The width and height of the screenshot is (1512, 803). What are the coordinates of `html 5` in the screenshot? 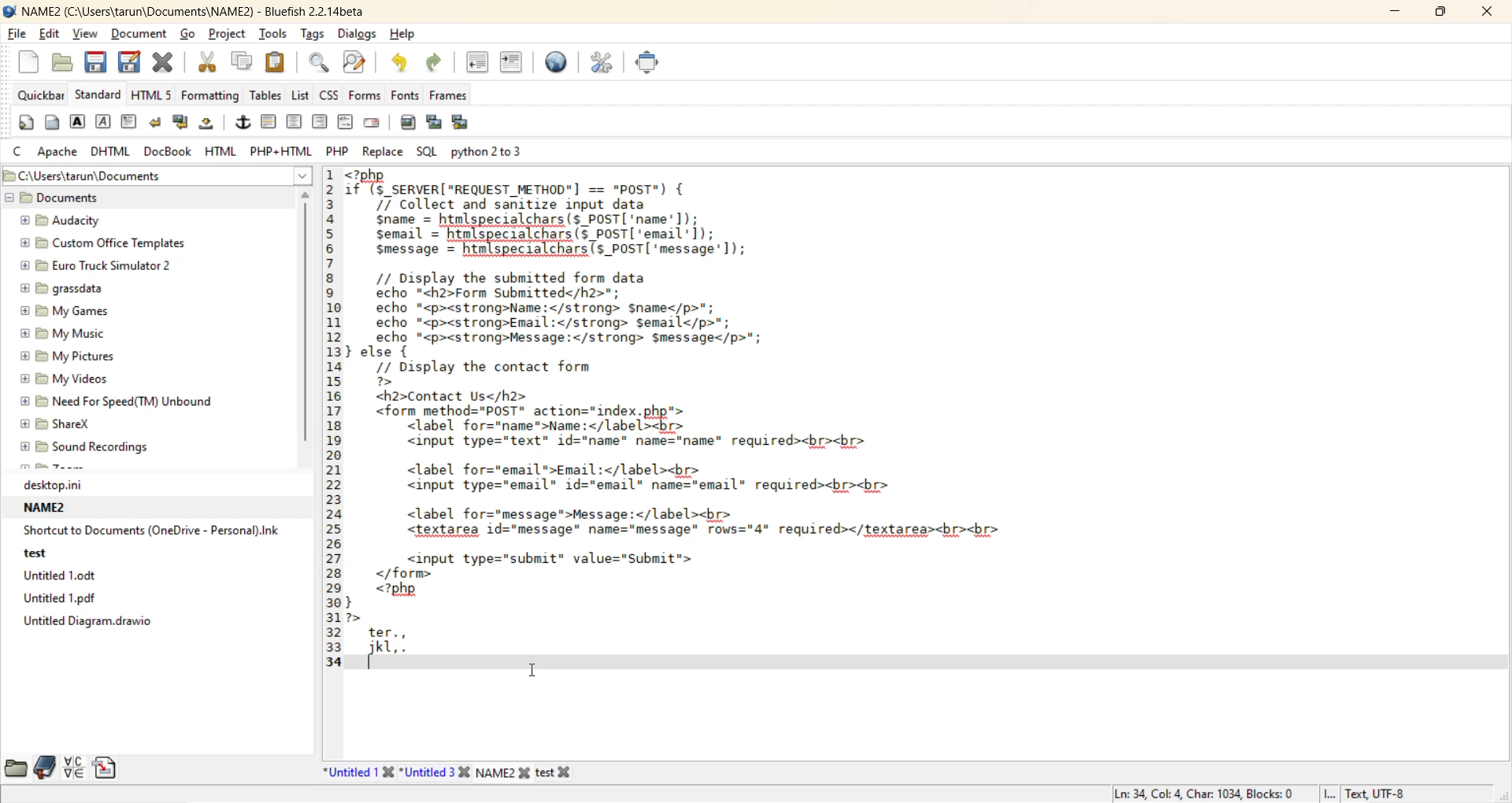 It's located at (154, 94).